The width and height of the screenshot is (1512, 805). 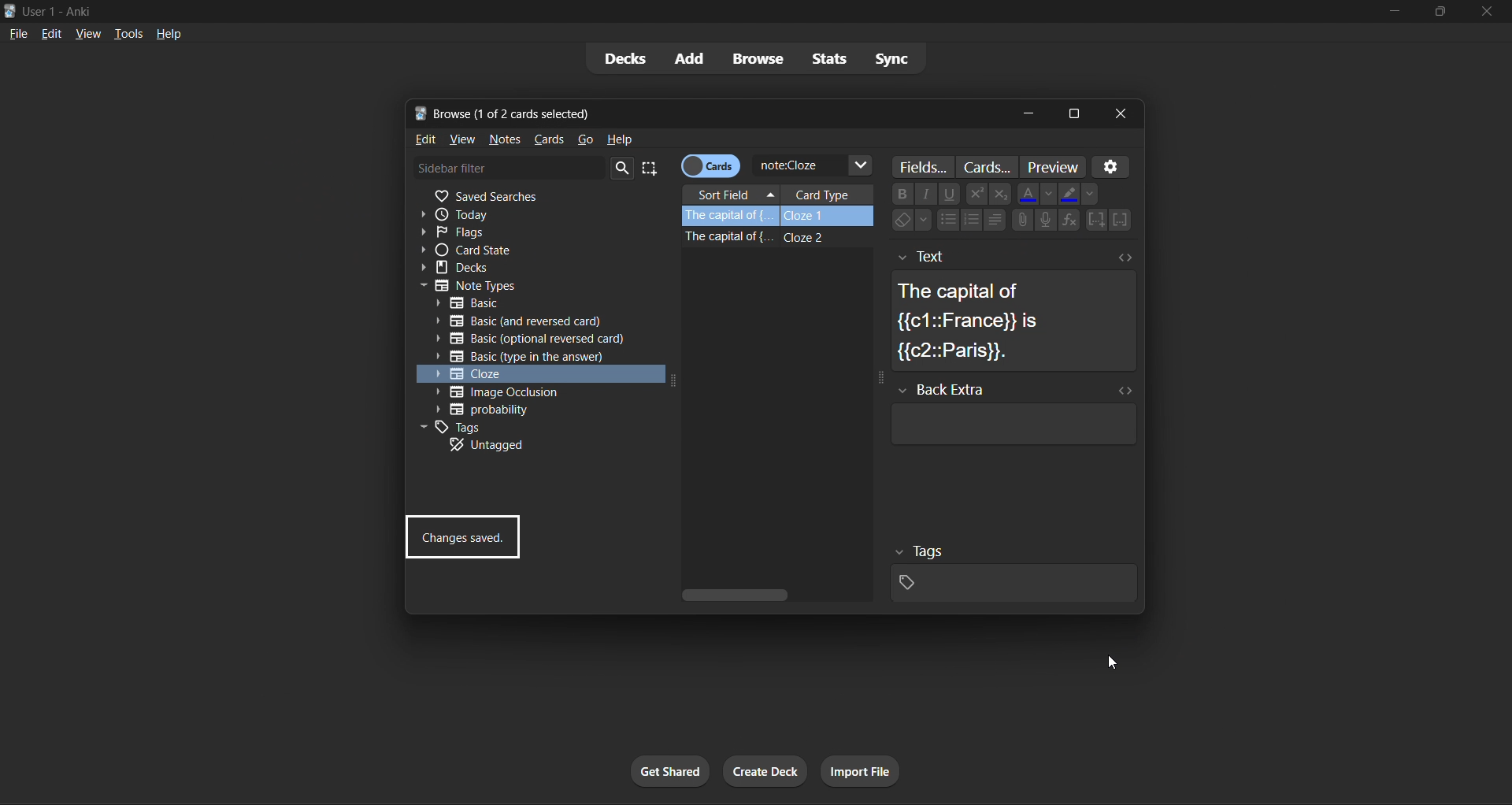 I want to click on tools, so click(x=128, y=33).